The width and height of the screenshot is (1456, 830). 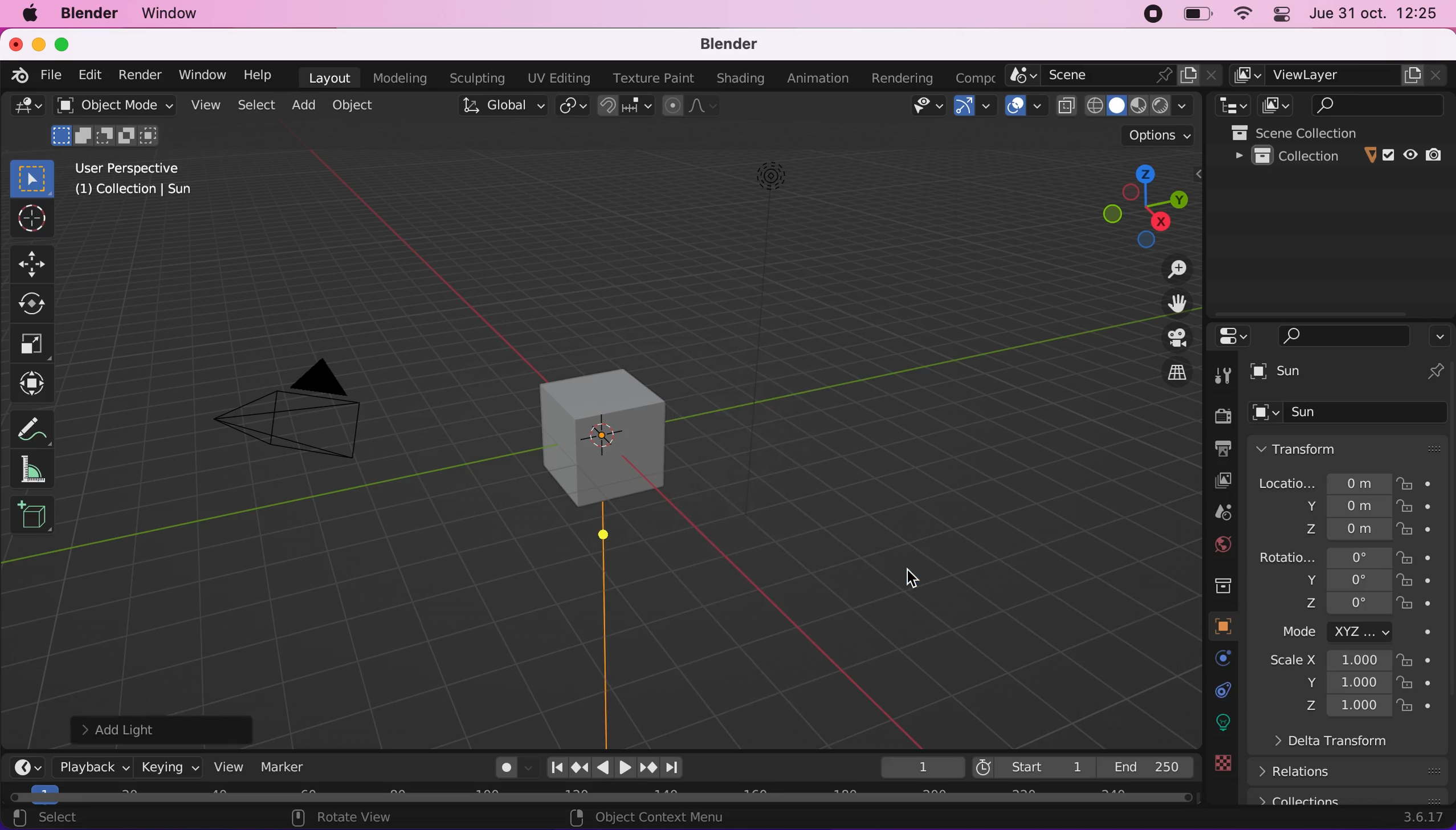 What do you see at coordinates (93, 75) in the screenshot?
I see `edit` at bounding box center [93, 75].